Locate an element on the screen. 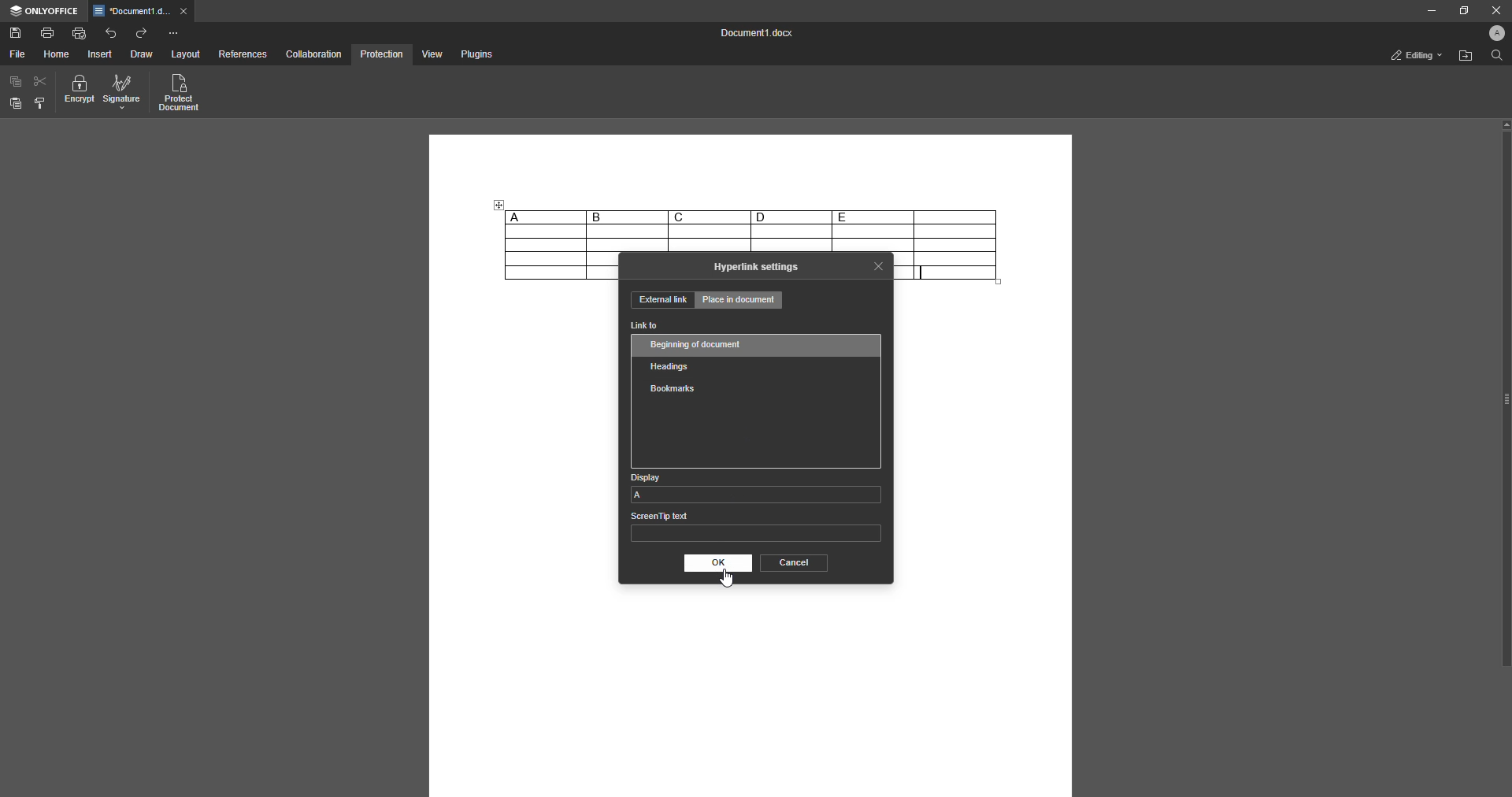  Home is located at coordinates (57, 54).